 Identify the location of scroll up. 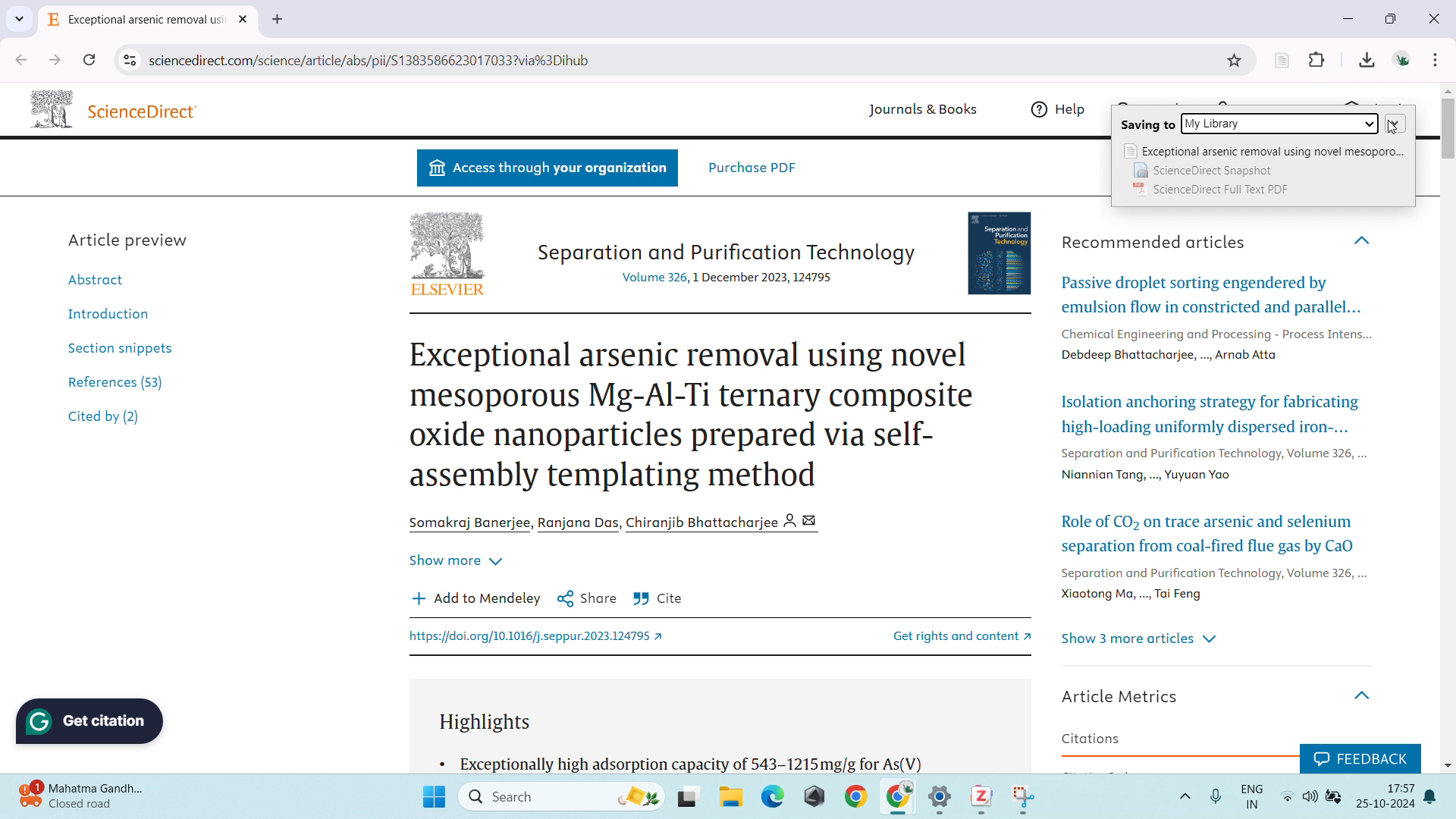
(1447, 90).